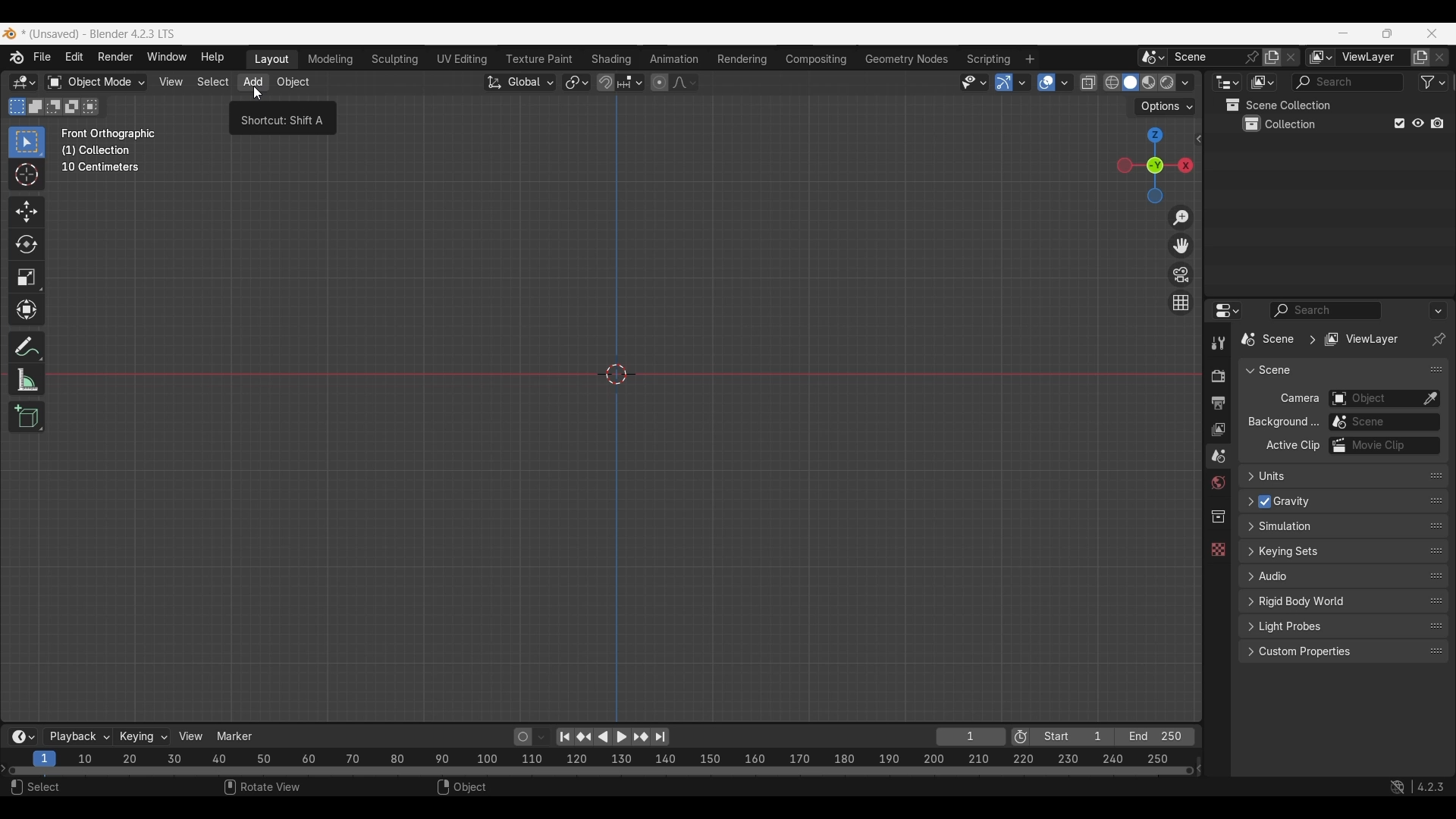 The width and height of the screenshot is (1456, 819). What do you see at coordinates (141, 737) in the screenshot?
I see `Keying` at bounding box center [141, 737].